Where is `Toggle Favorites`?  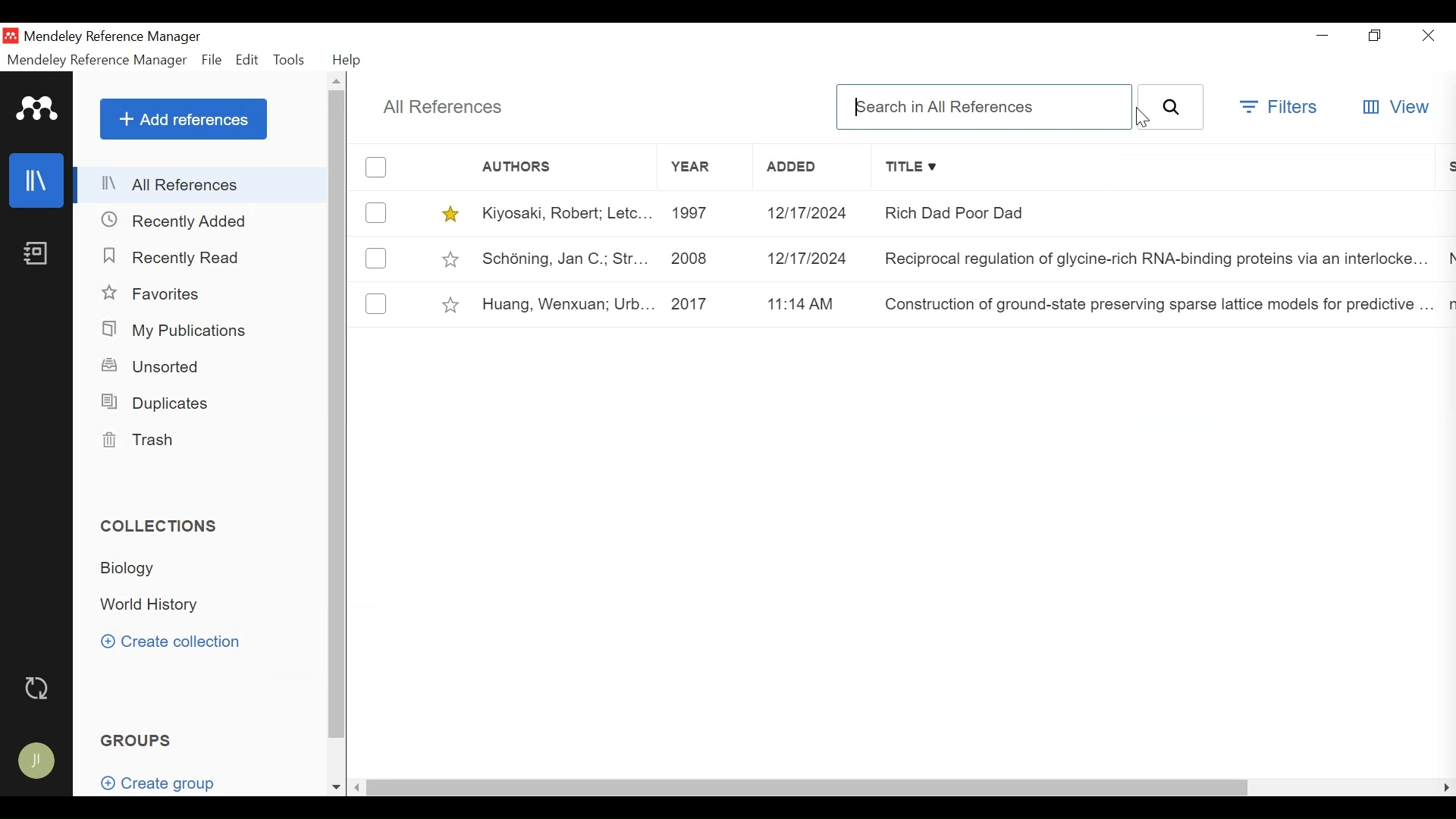
Toggle Favorites is located at coordinates (452, 303).